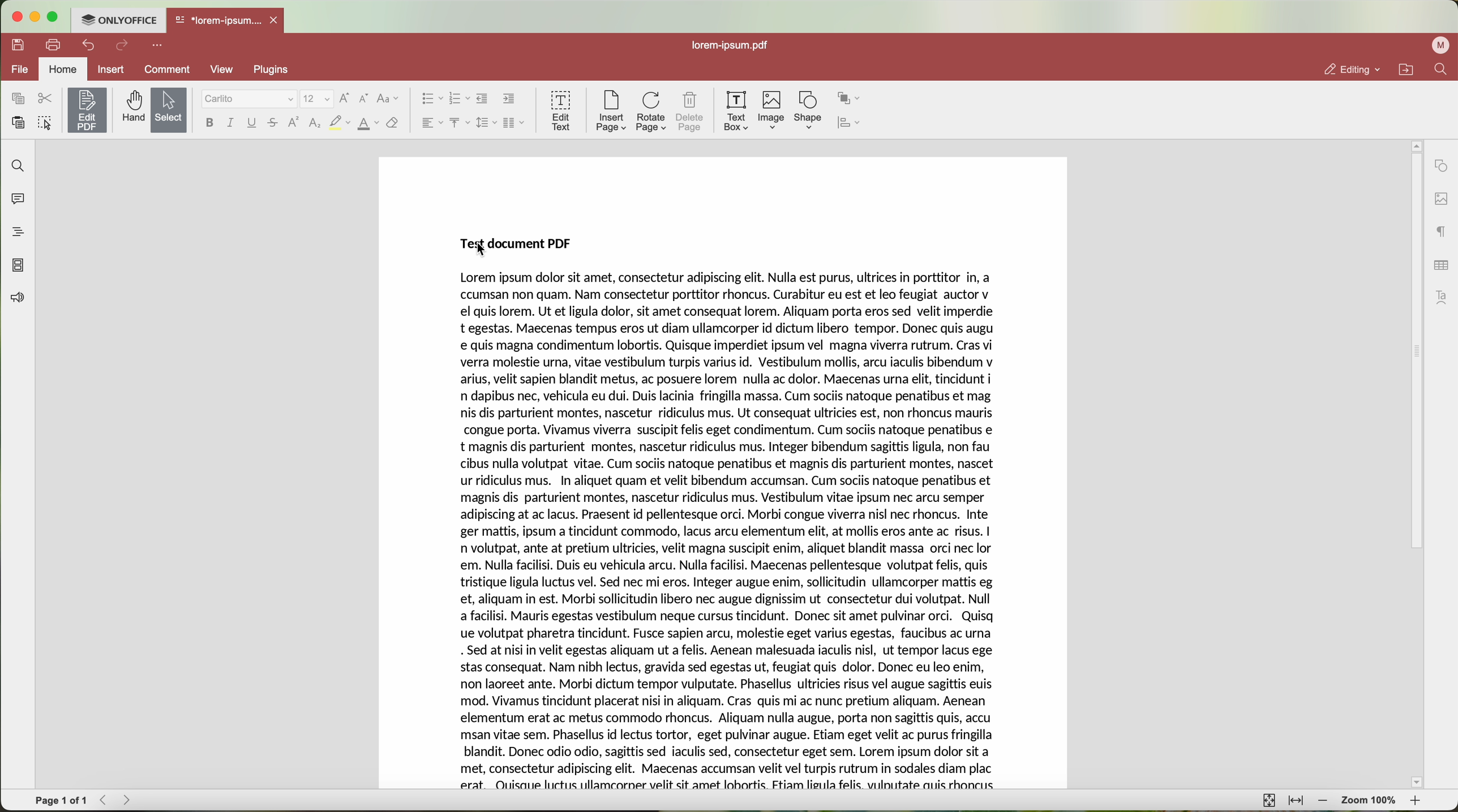 Image resolution: width=1458 pixels, height=812 pixels. What do you see at coordinates (1323, 801) in the screenshot?
I see `zoom out` at bounding box center [1323, 801].